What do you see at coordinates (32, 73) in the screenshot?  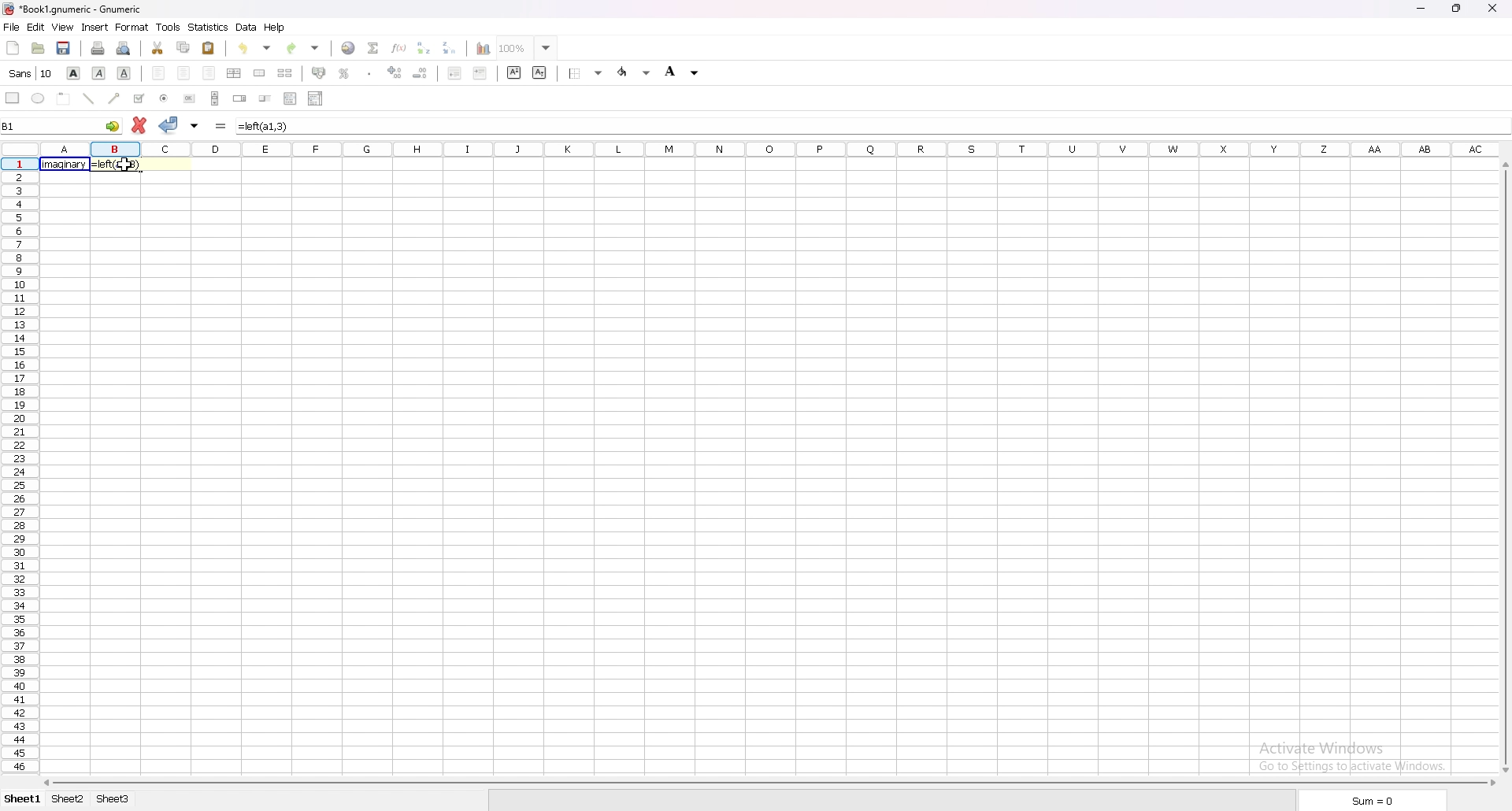 I see `font` at bounding box center [32, 73].